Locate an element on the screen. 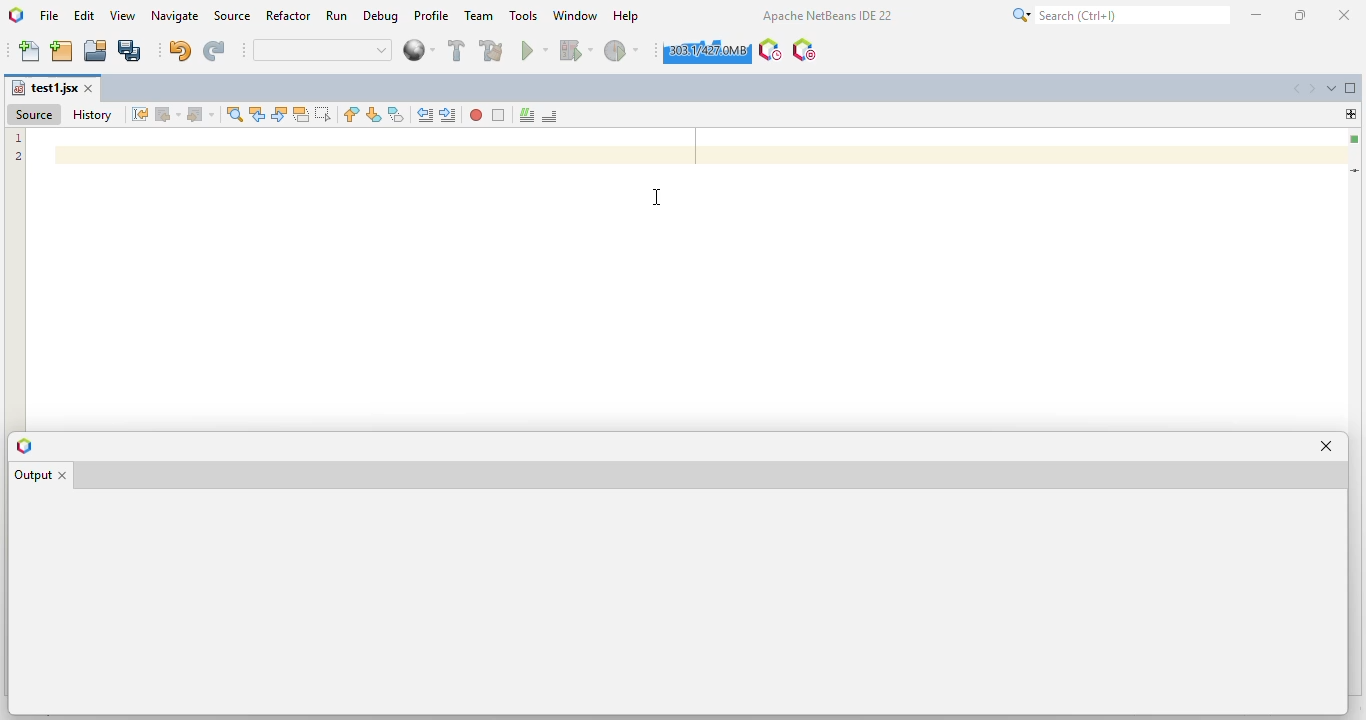  new project is located at coordinates (62, 52).